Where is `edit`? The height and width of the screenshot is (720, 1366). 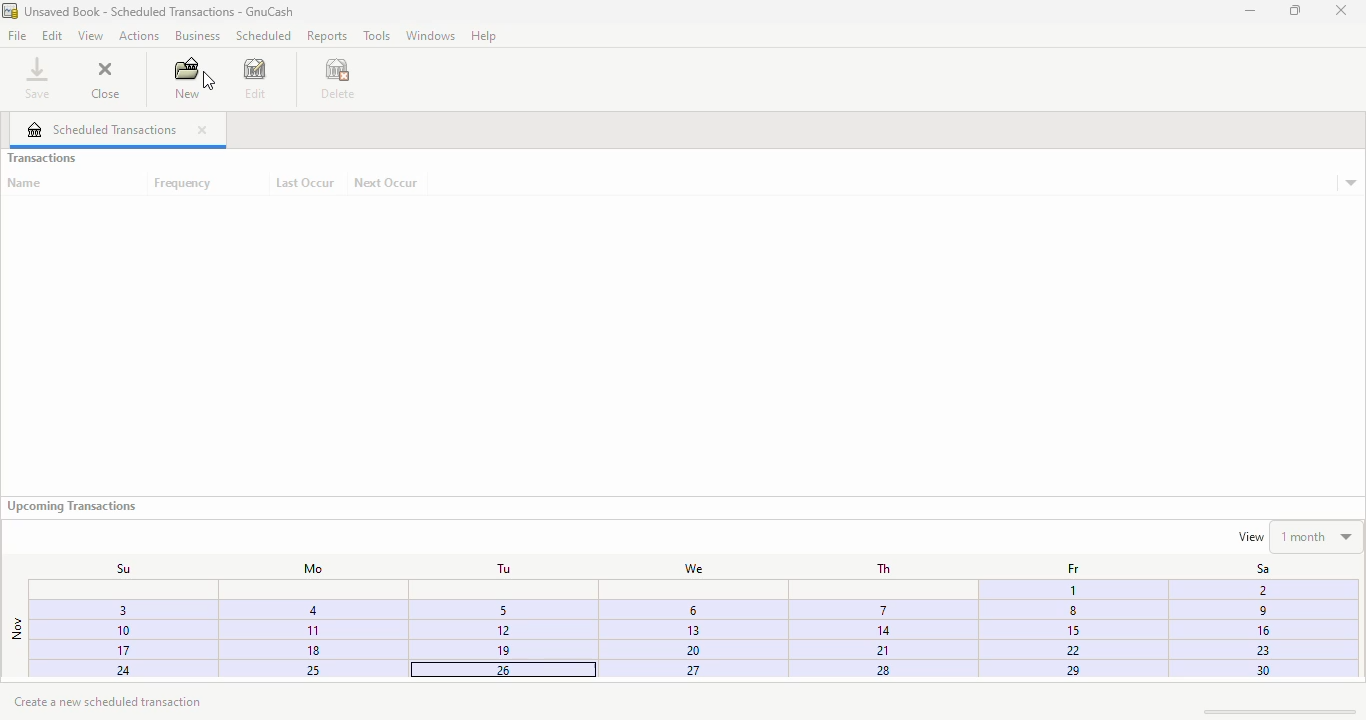
edit is located at coordinates (256, 78).